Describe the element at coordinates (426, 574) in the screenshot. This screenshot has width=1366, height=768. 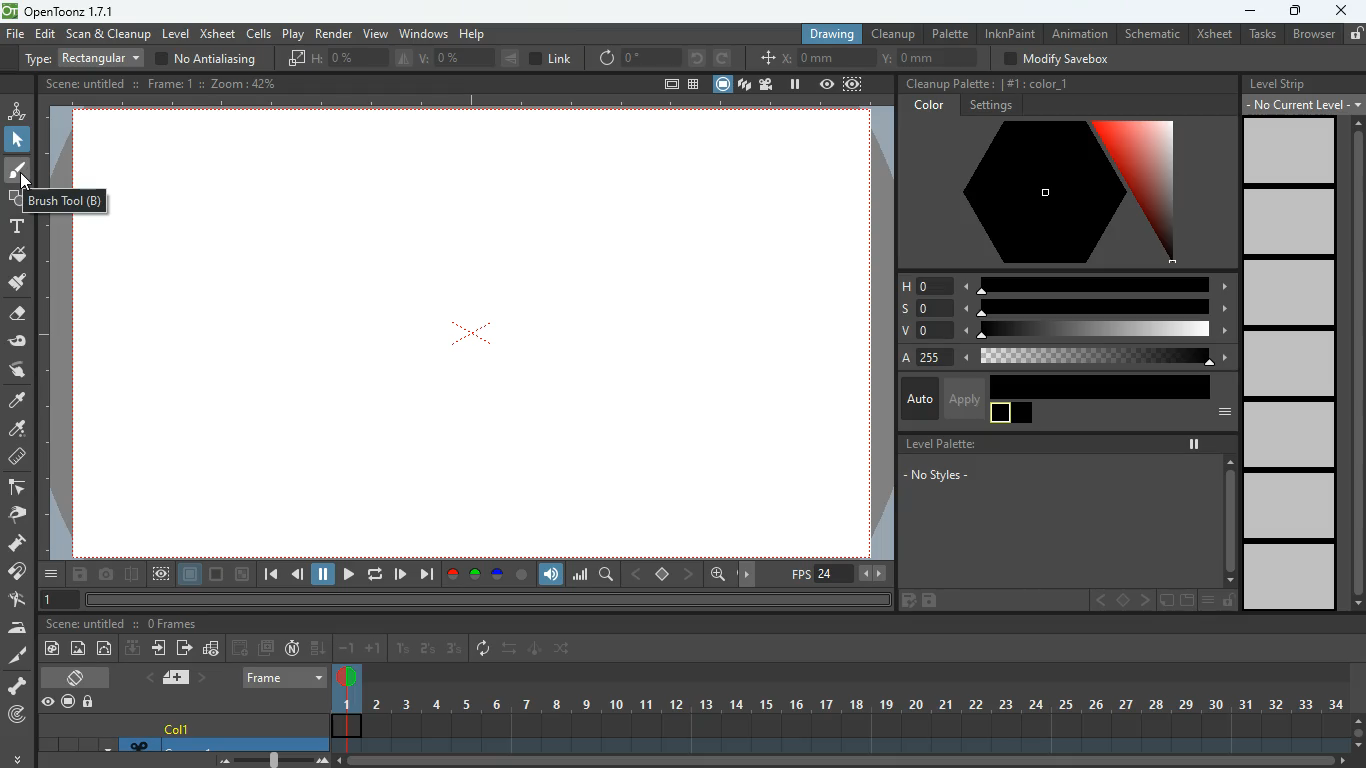
I see `end` at that location.